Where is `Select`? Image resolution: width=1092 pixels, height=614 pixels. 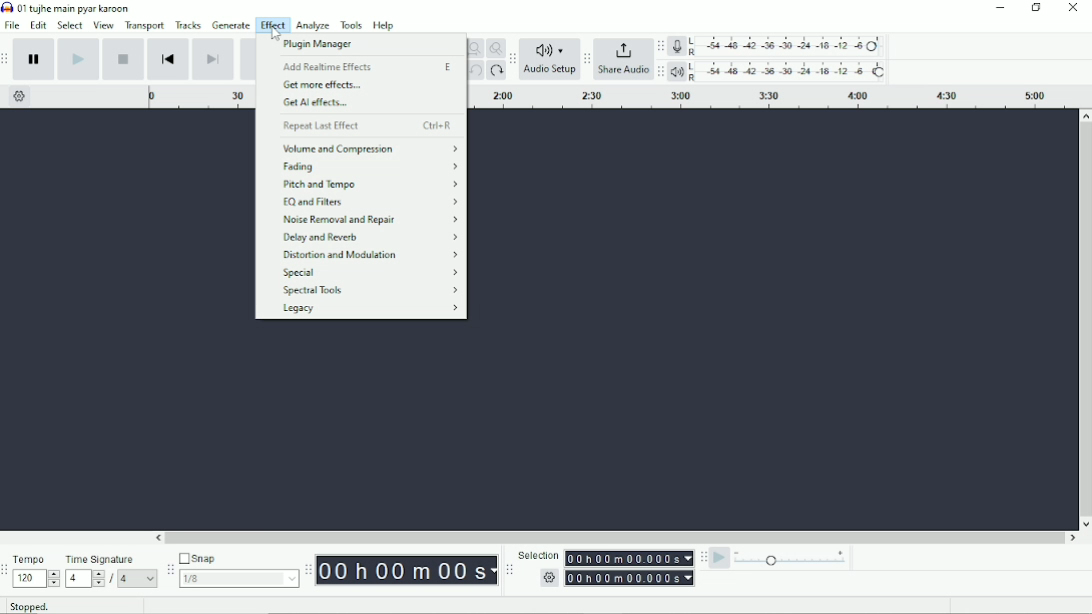 Select is located at coordinates (70, 25).